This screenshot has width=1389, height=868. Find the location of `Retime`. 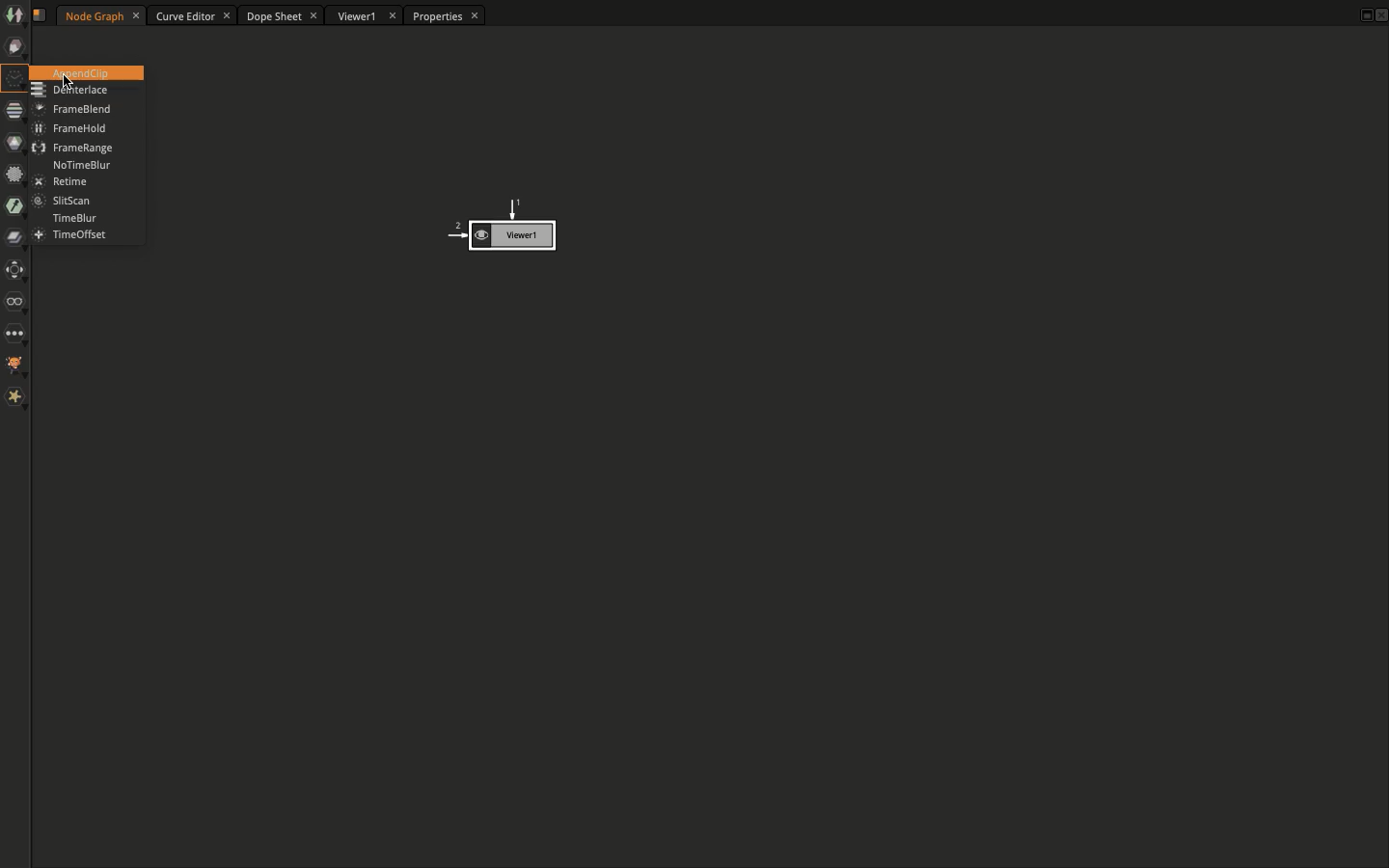

Retime is located at coordinates (61, 181).